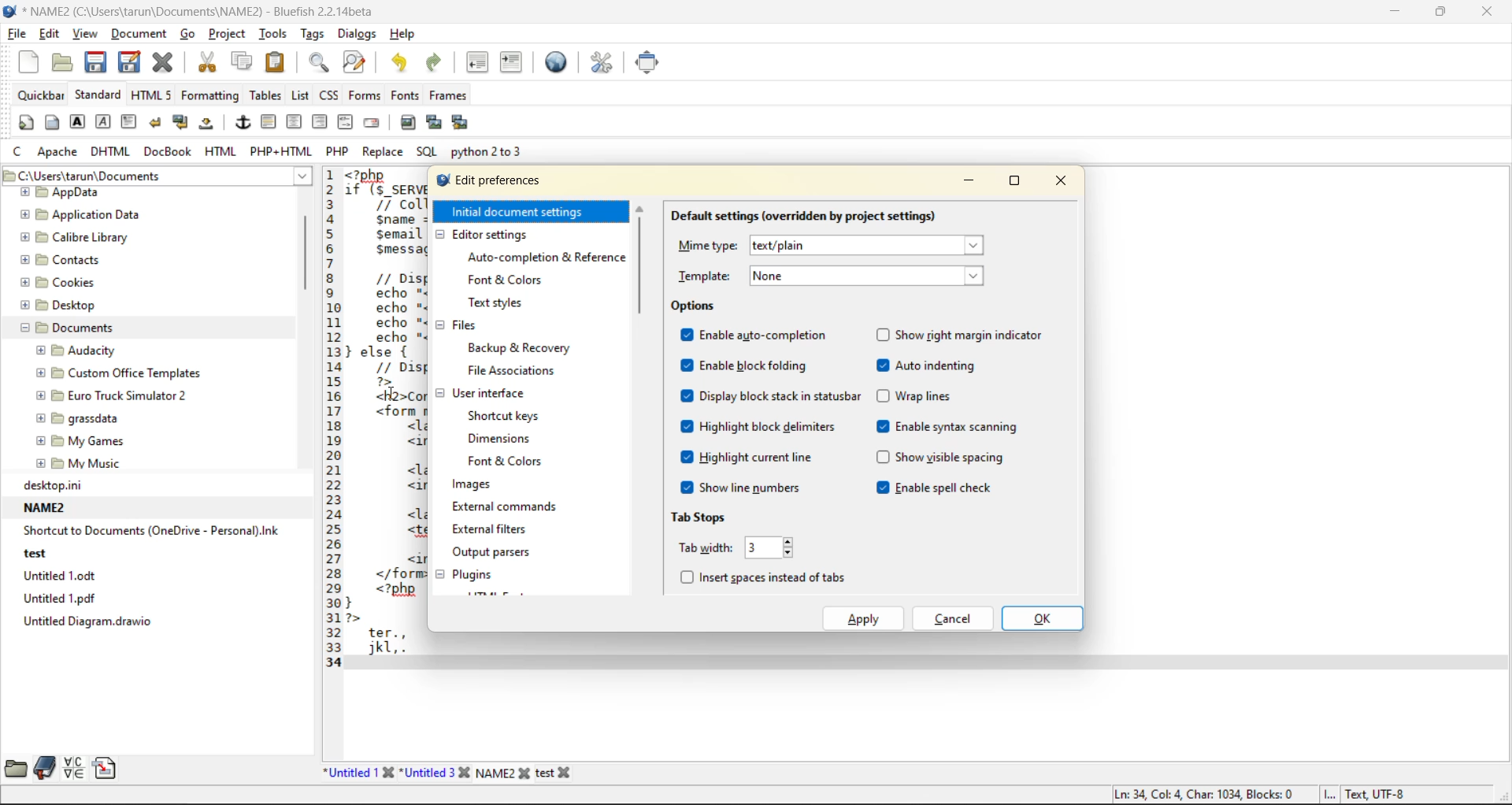  Describe the element at coordinates (28, 64) in the screenshot. I see `new` at that location.